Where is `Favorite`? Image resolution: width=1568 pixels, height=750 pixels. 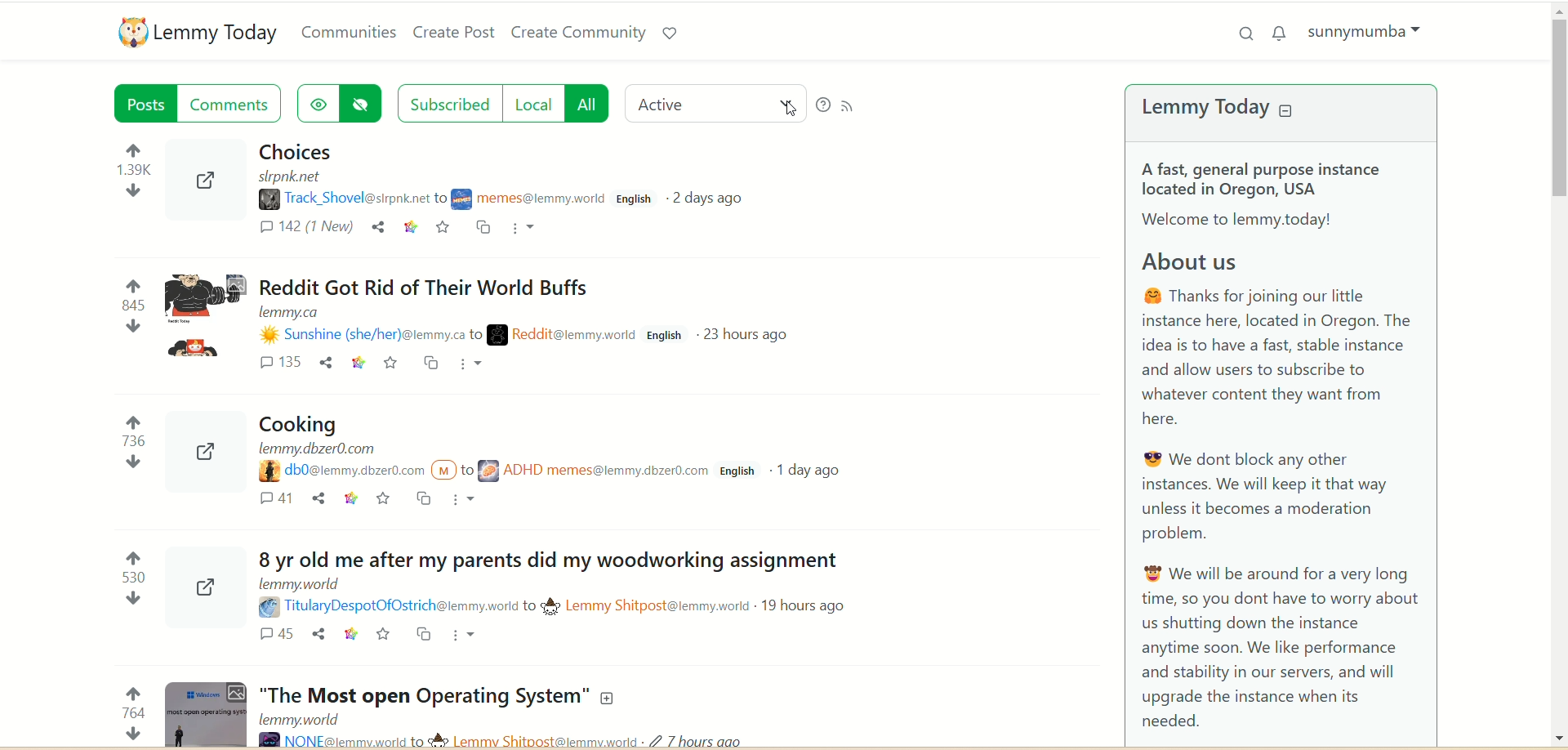
Favorite is located at coordinates (391, 364).